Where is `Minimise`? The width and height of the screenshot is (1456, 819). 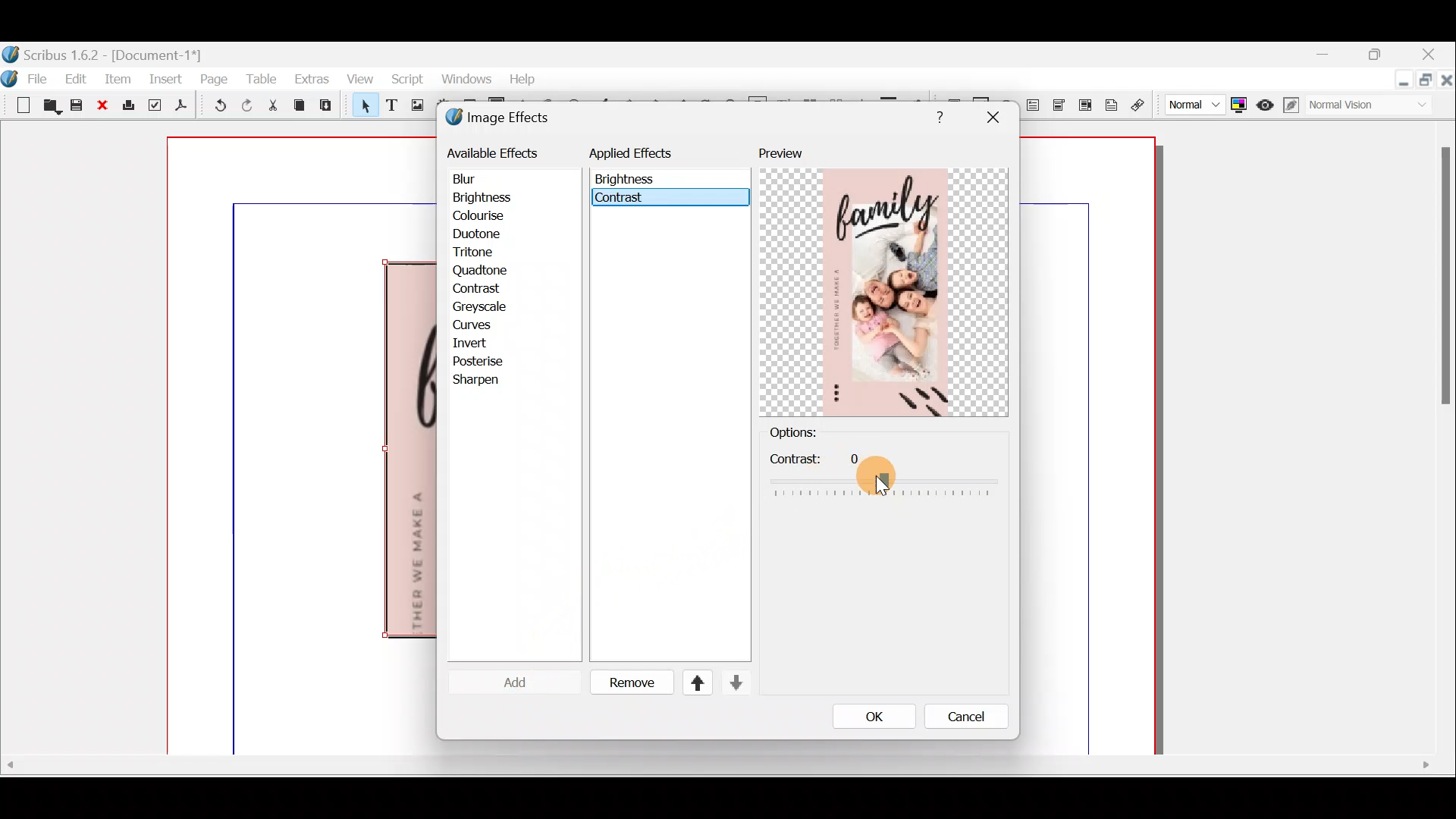
Minimise is located at coordinates (1332, 55).